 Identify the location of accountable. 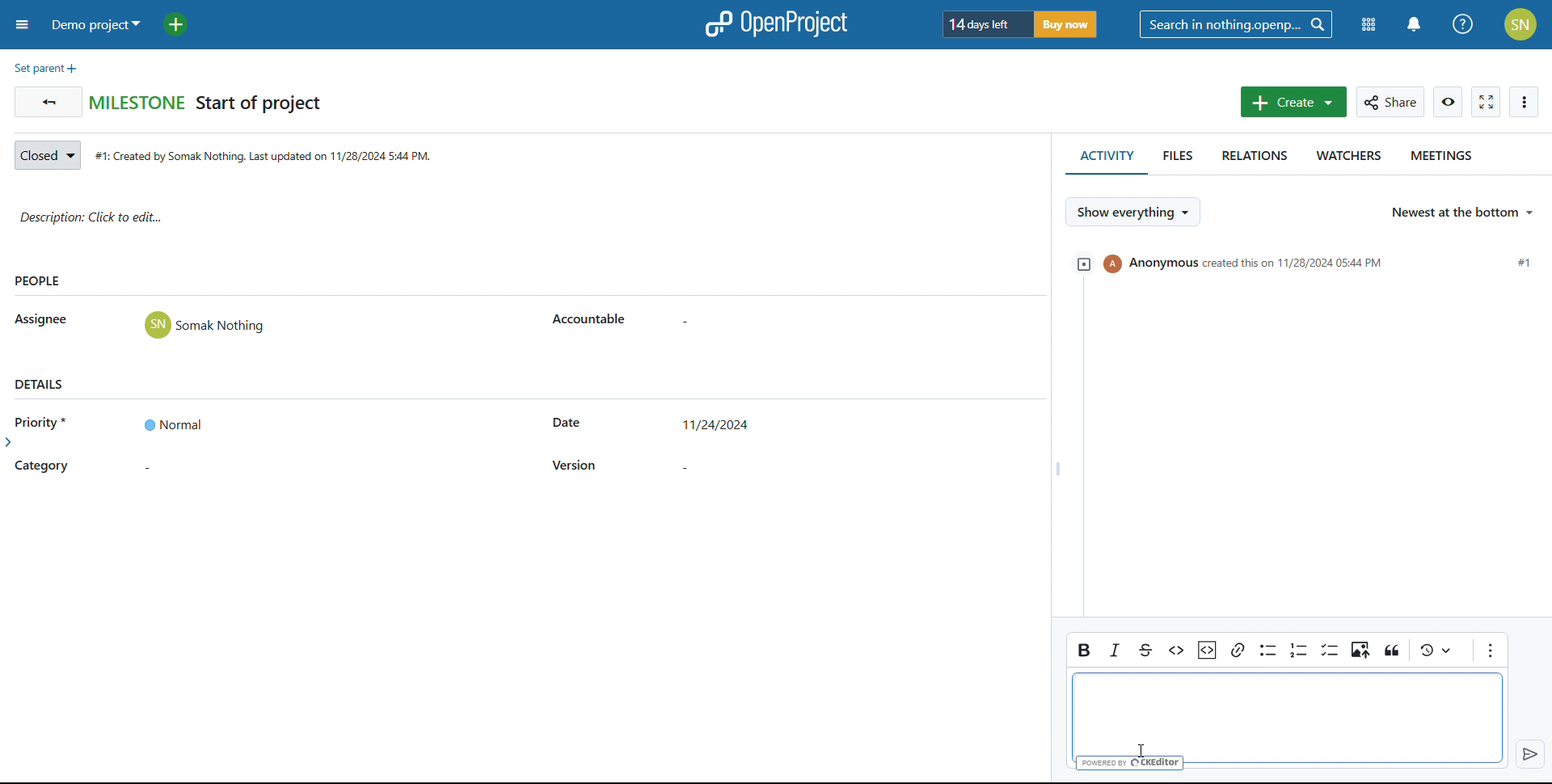
(591, 320).